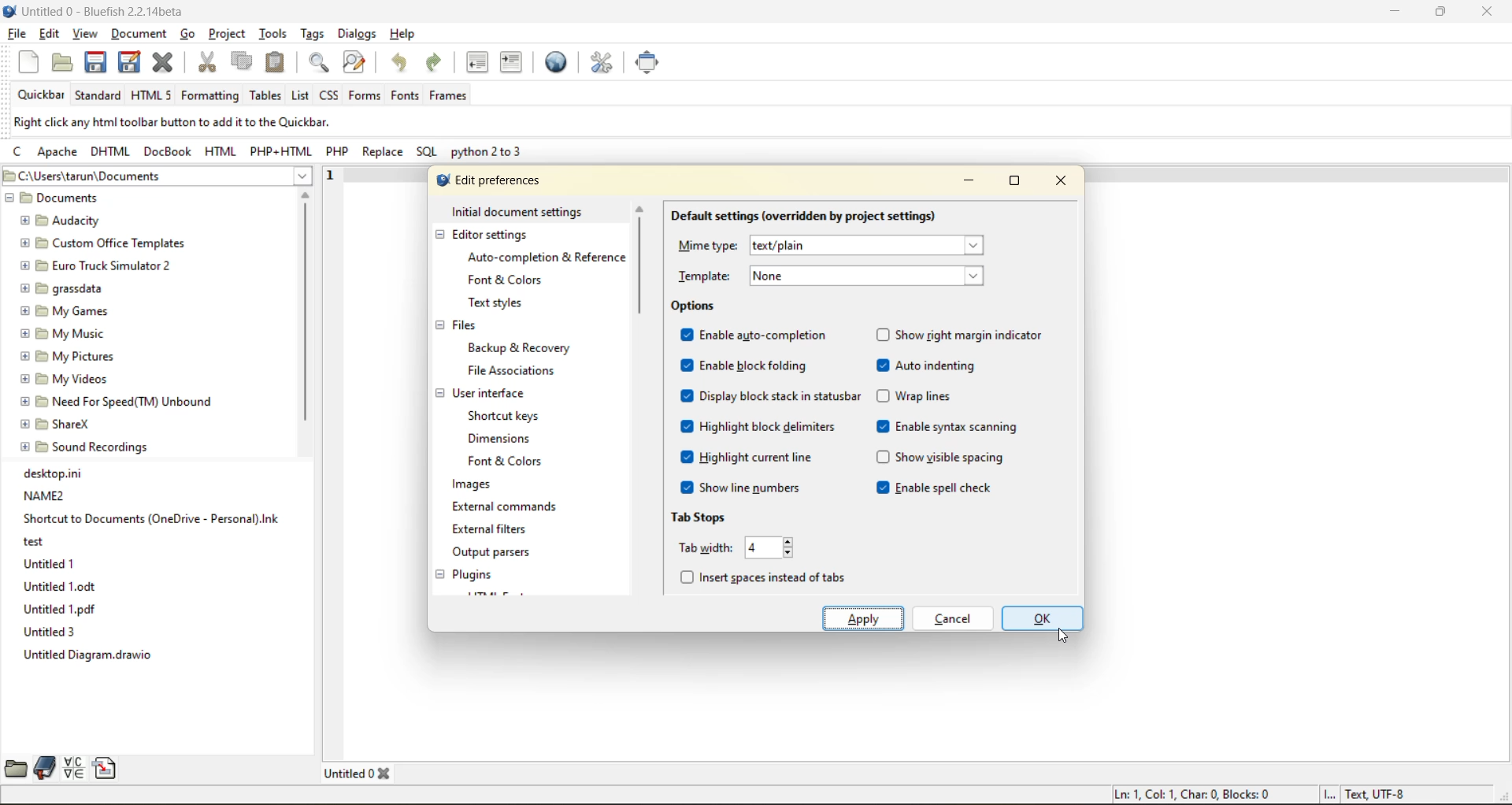 The image size is (1512, 805). What do you see at coordinates (119, 399) in the screenshot?
I see `@ EB Need For Speed(TM) Unbound` at bounding box center [119, 399].